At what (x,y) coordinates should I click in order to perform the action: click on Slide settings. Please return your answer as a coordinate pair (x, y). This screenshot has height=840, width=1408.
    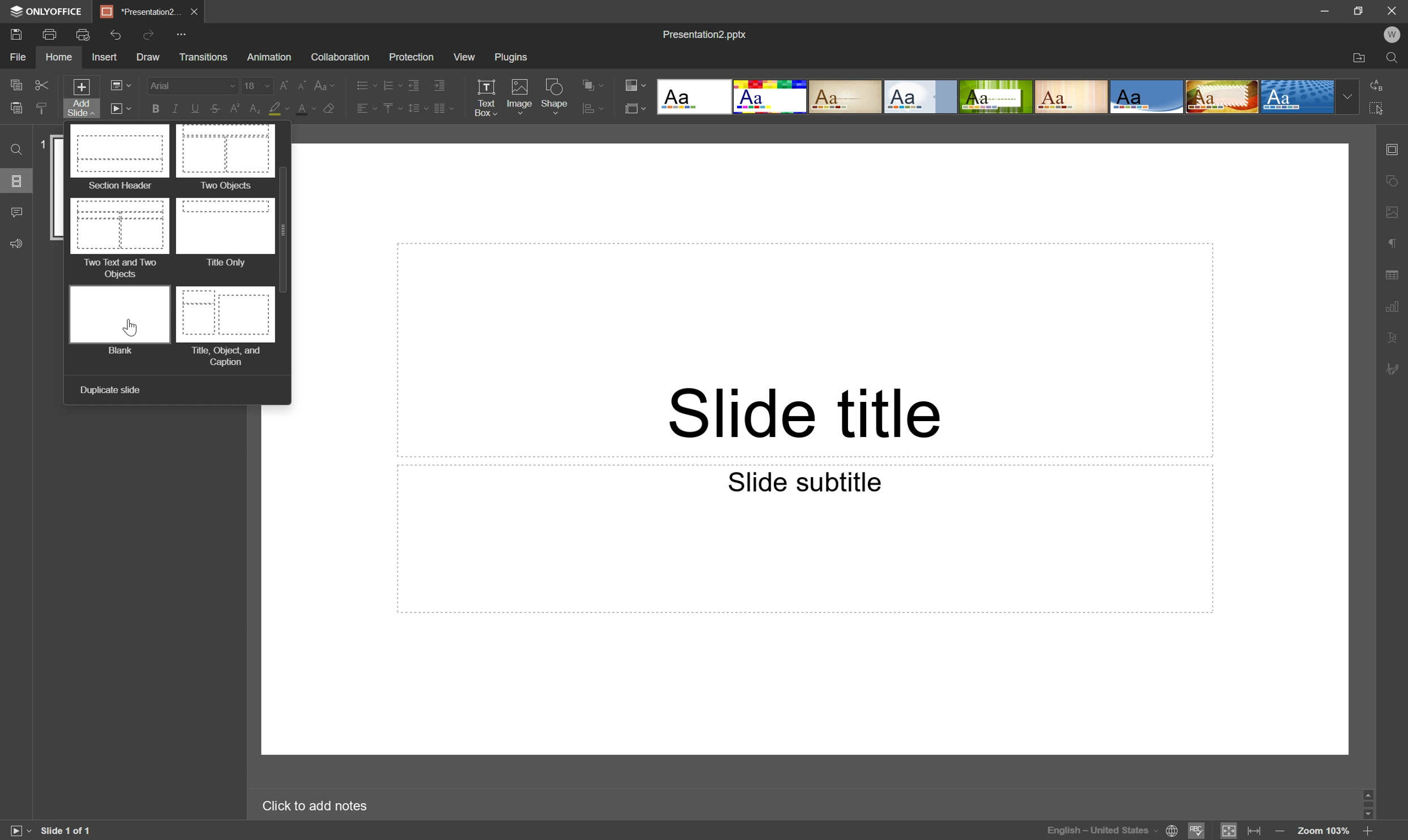
    Looking at the image, I should click on (1396, 147).